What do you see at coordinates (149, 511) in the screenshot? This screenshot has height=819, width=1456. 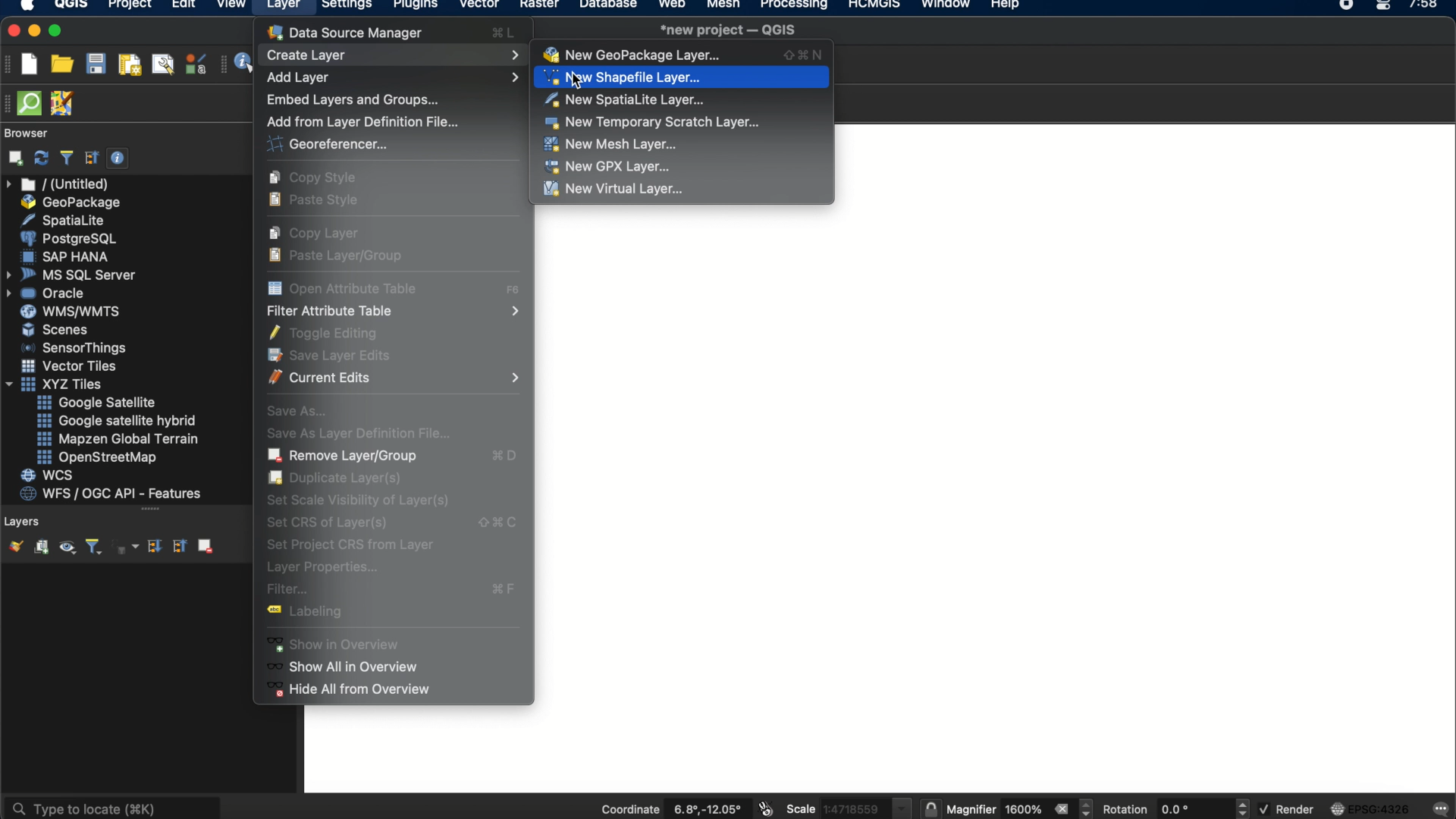 I see `more` at bounding box center [149, 511].